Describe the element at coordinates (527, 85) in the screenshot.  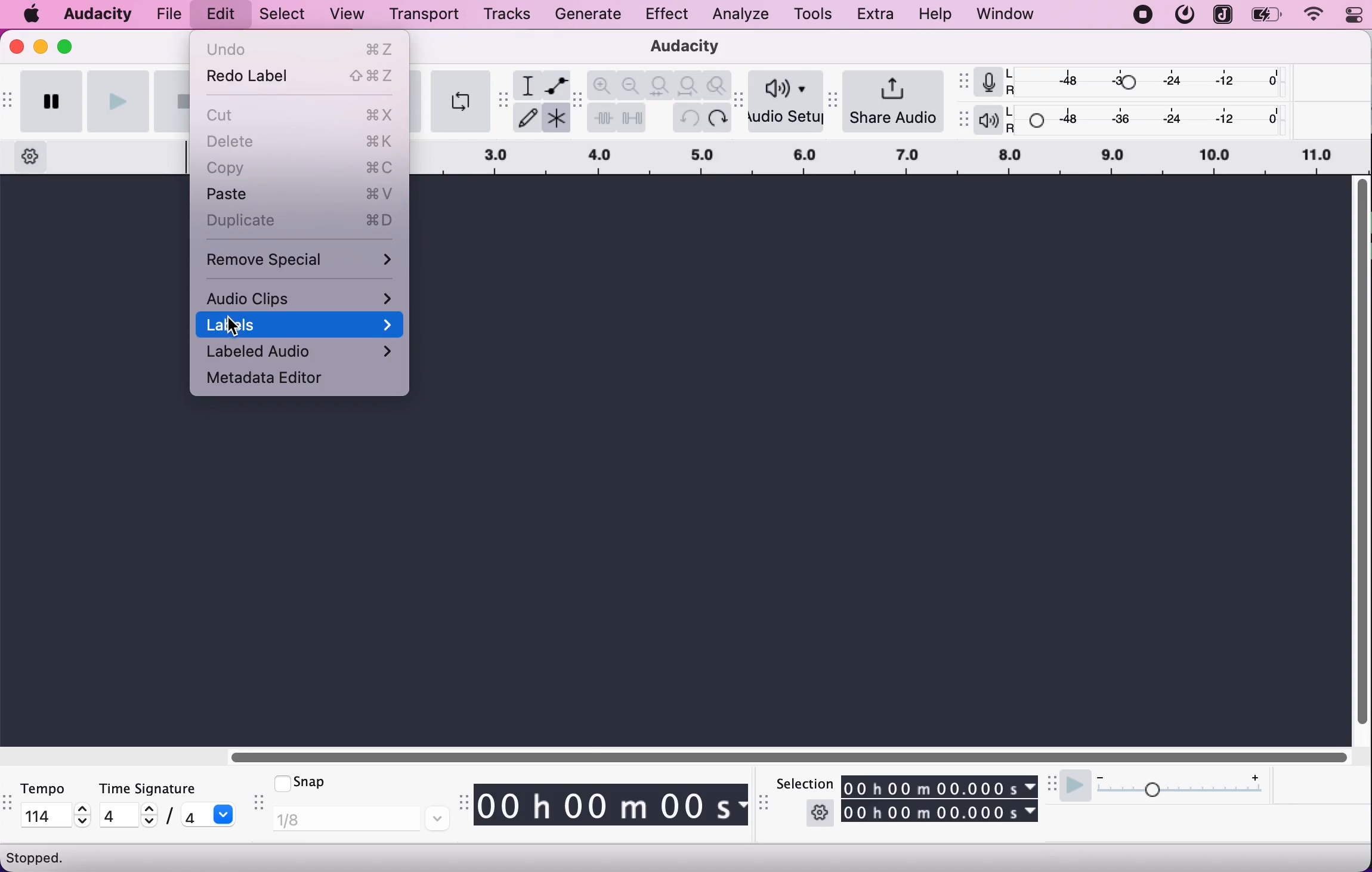
I see `selection tool` at that location.